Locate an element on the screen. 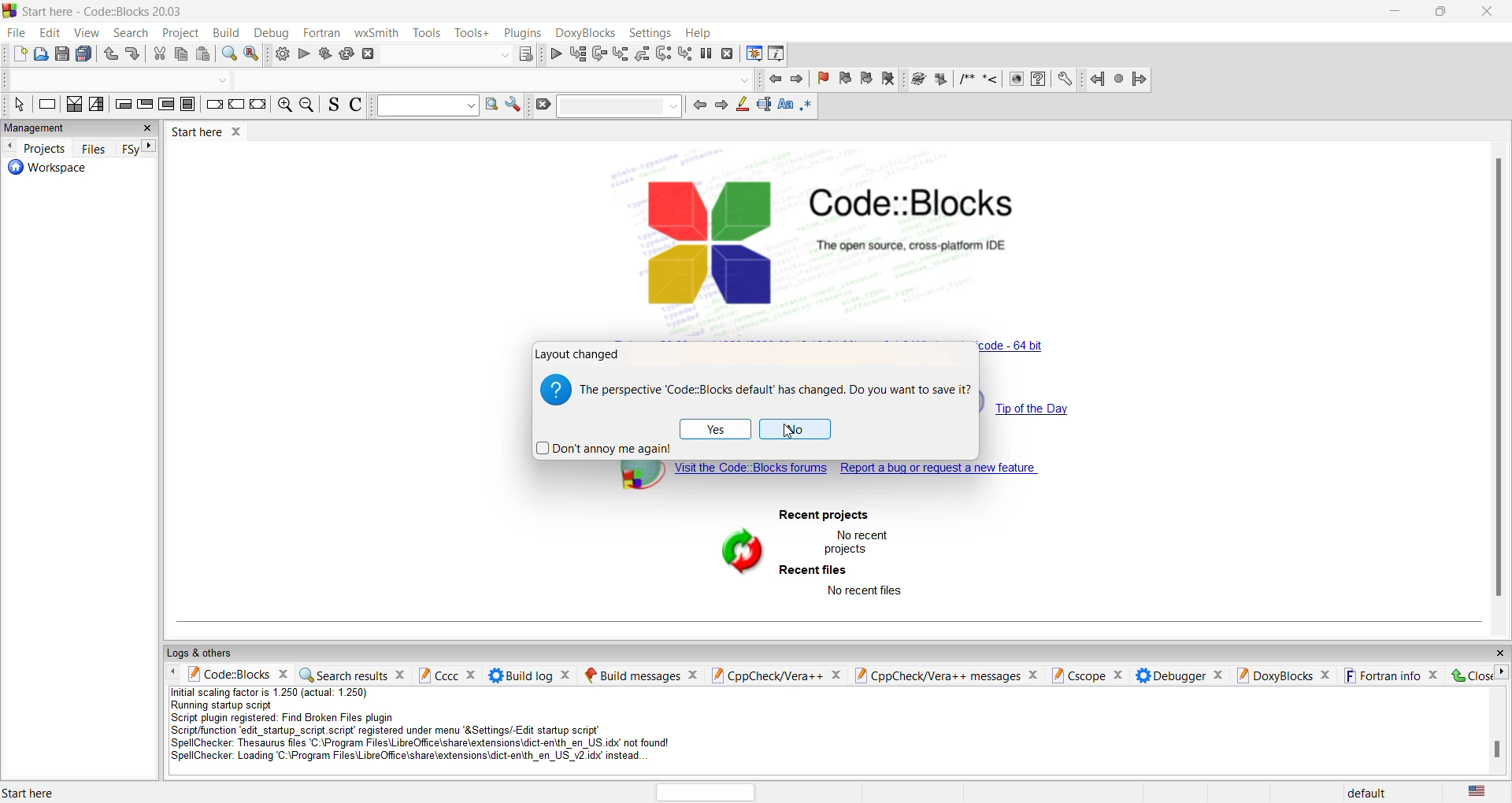  default is located at coordinates (1367, 790).